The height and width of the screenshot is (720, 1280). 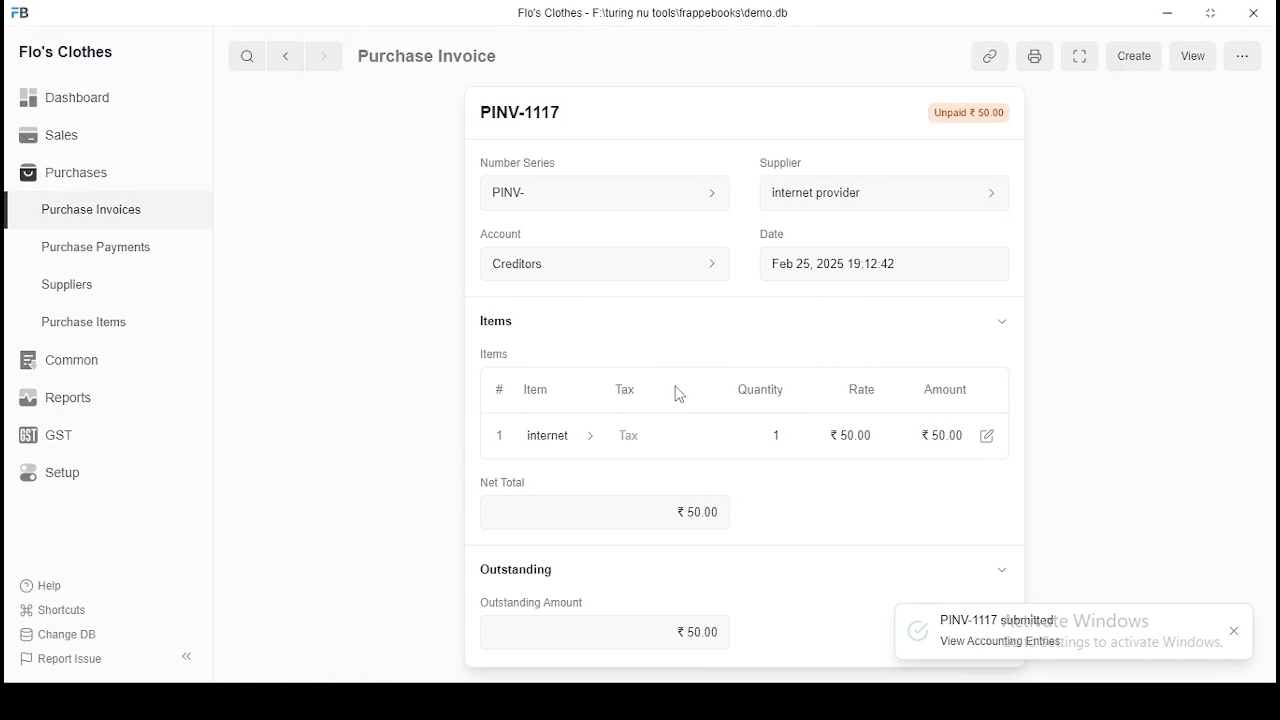 What do you see at coordinates (63, 474) in the screenshot?
I see `setup` at bounding box center [63, 474].